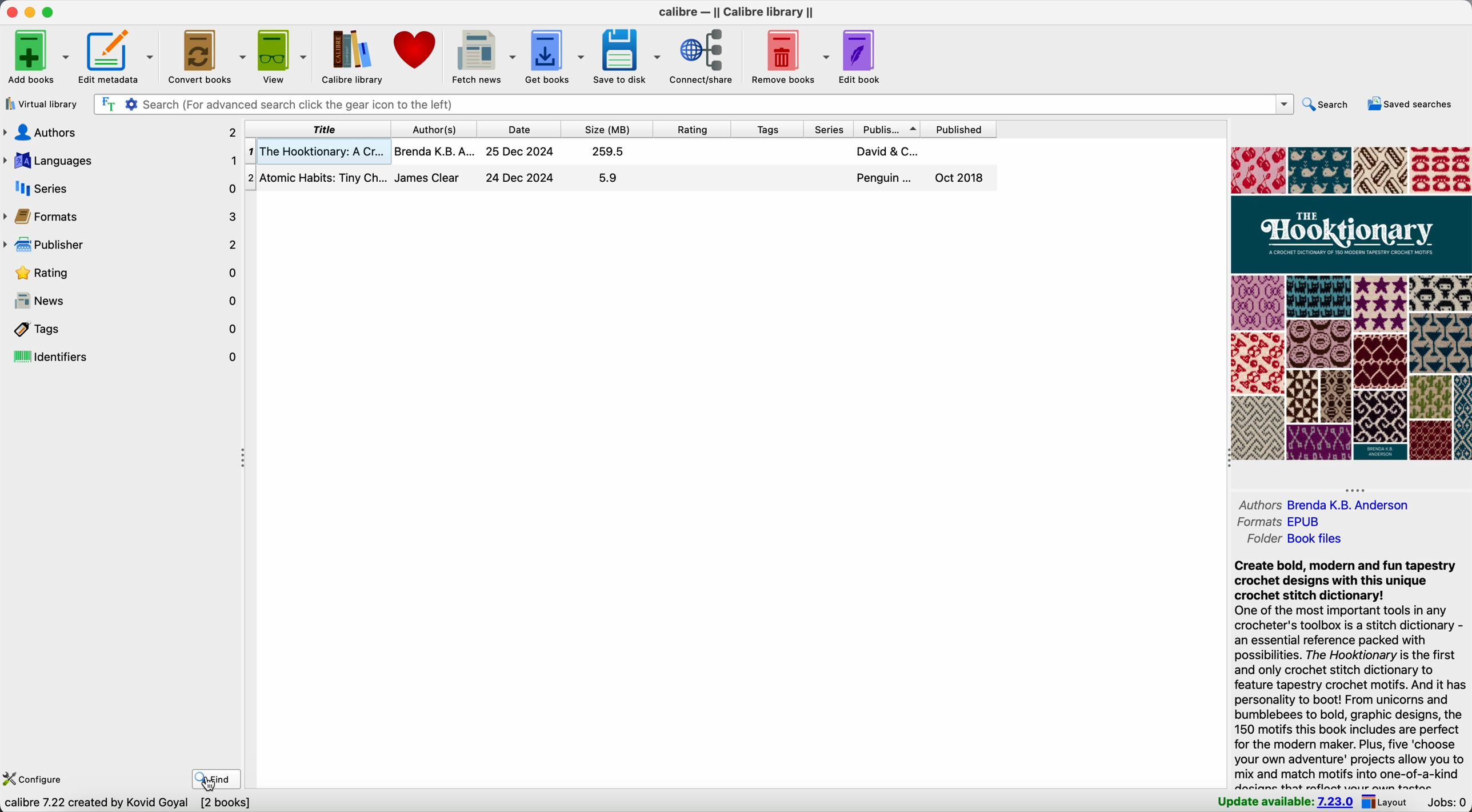  What do you see at coordinates (704, 58) in the screenshot?
I see `connect/share` at bounding box center [704, 58].